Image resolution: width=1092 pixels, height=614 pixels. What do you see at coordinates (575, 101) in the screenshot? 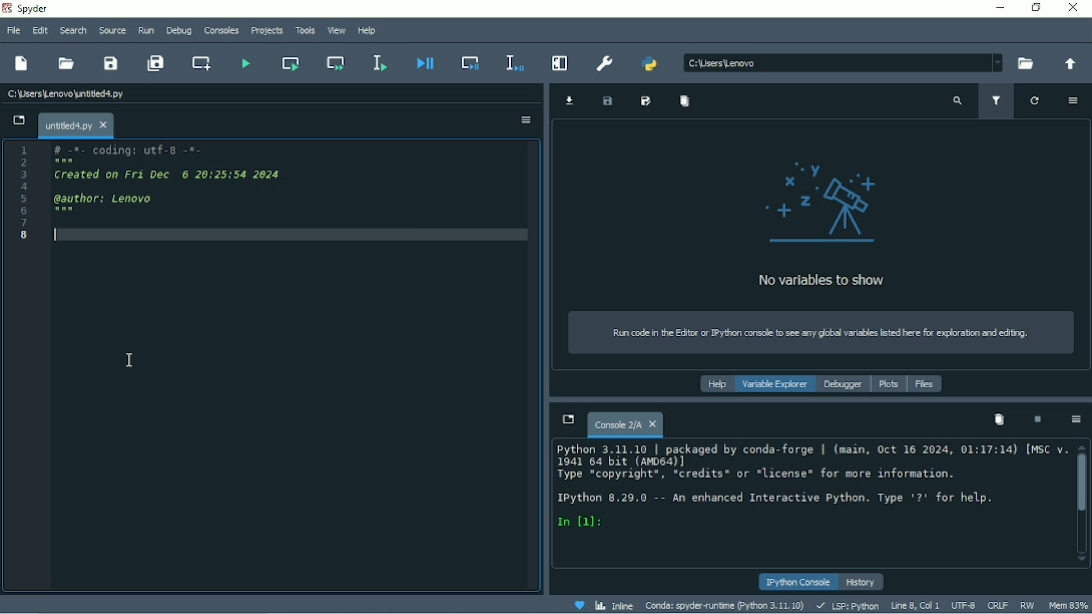
I see `Import data` at bounding box center [575, 101].